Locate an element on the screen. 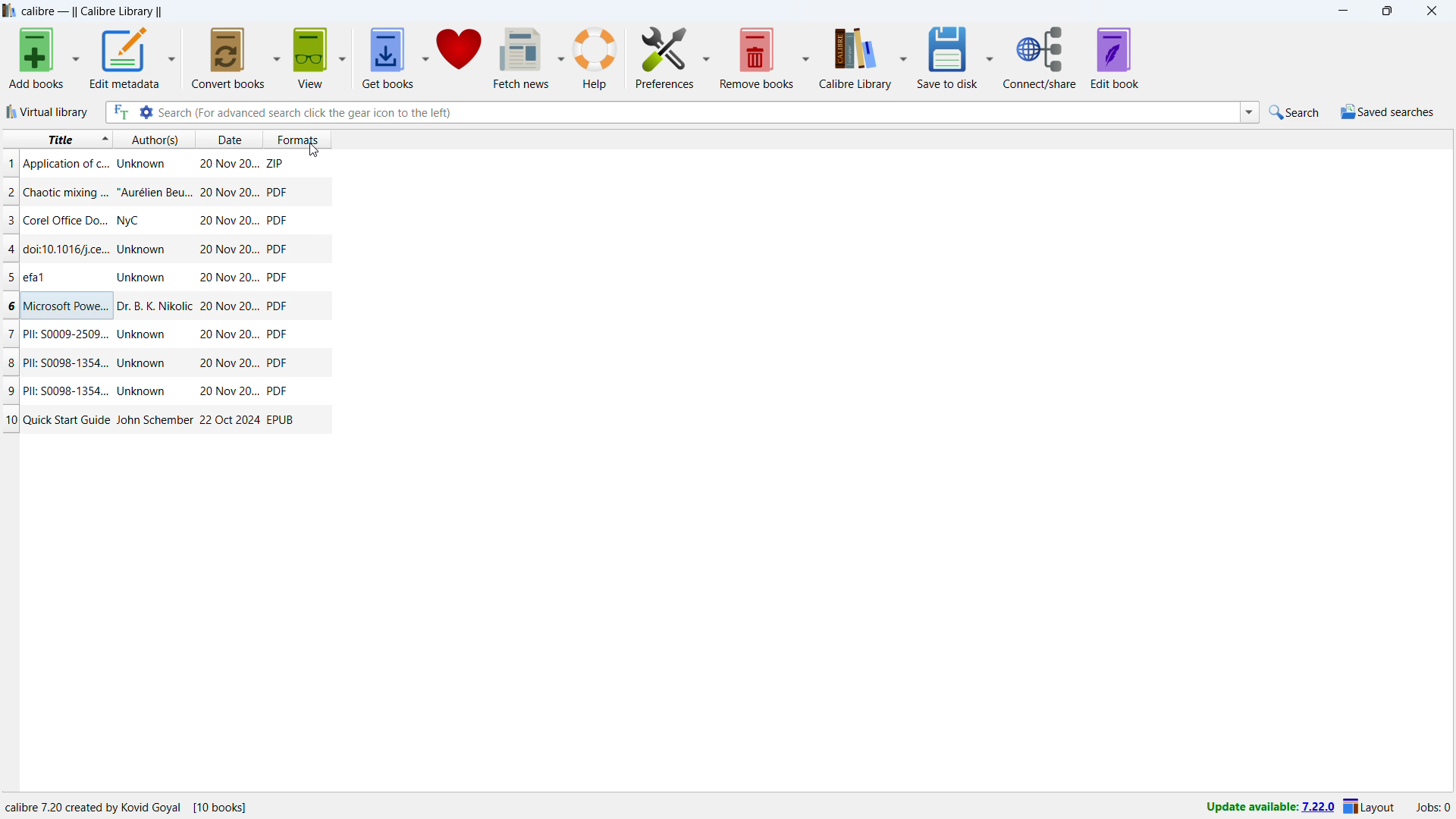  Update available: 7.22.0 is located at coordinates (1266, 805).